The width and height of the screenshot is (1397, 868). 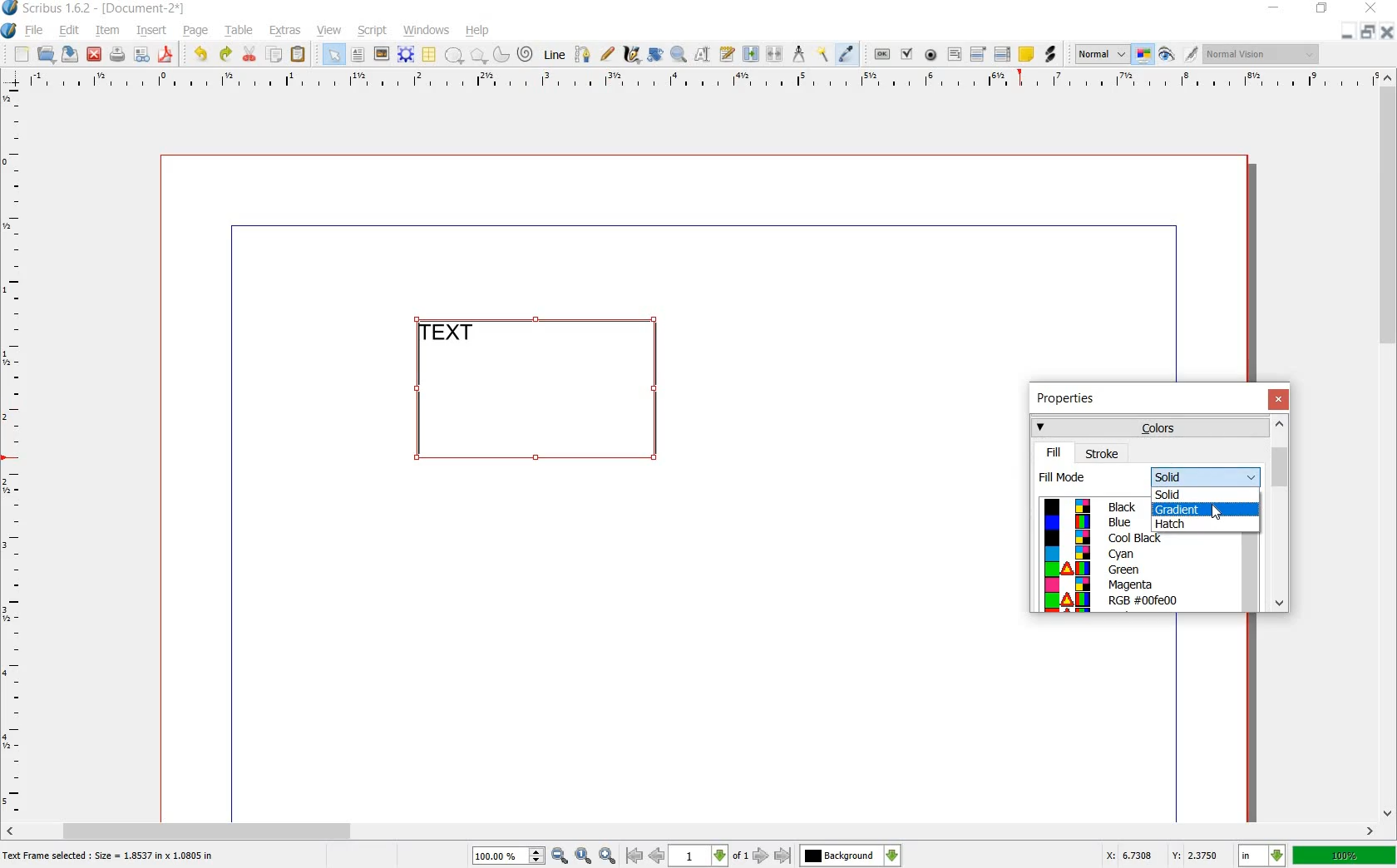 I want to click on cursor, so click(x=1219, y=513).